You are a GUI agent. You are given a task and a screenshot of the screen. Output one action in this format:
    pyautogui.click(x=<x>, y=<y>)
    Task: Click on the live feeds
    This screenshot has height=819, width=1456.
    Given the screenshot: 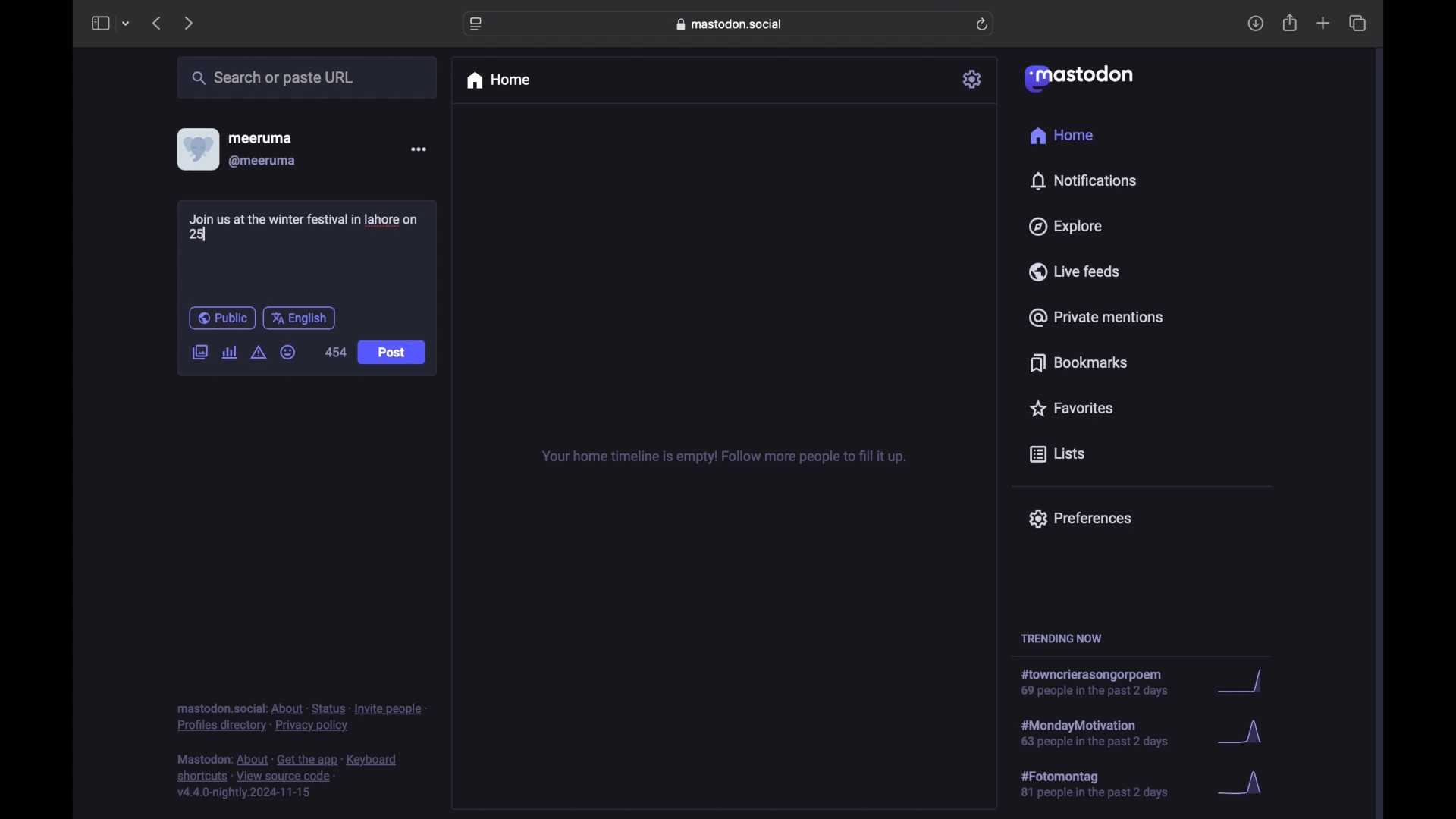 What is the action you would take?
    pyautogui.click(x=1075, y=271)
    